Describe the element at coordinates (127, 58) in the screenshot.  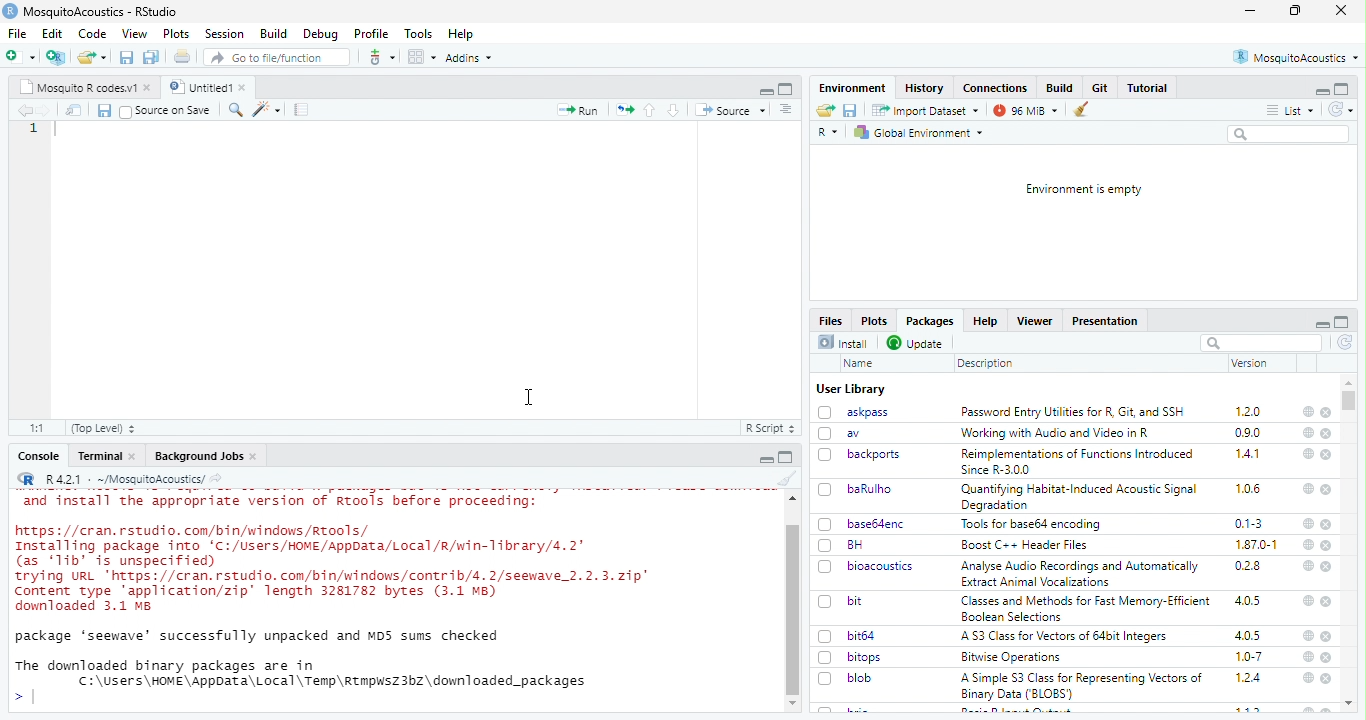
I see `save` at that location.